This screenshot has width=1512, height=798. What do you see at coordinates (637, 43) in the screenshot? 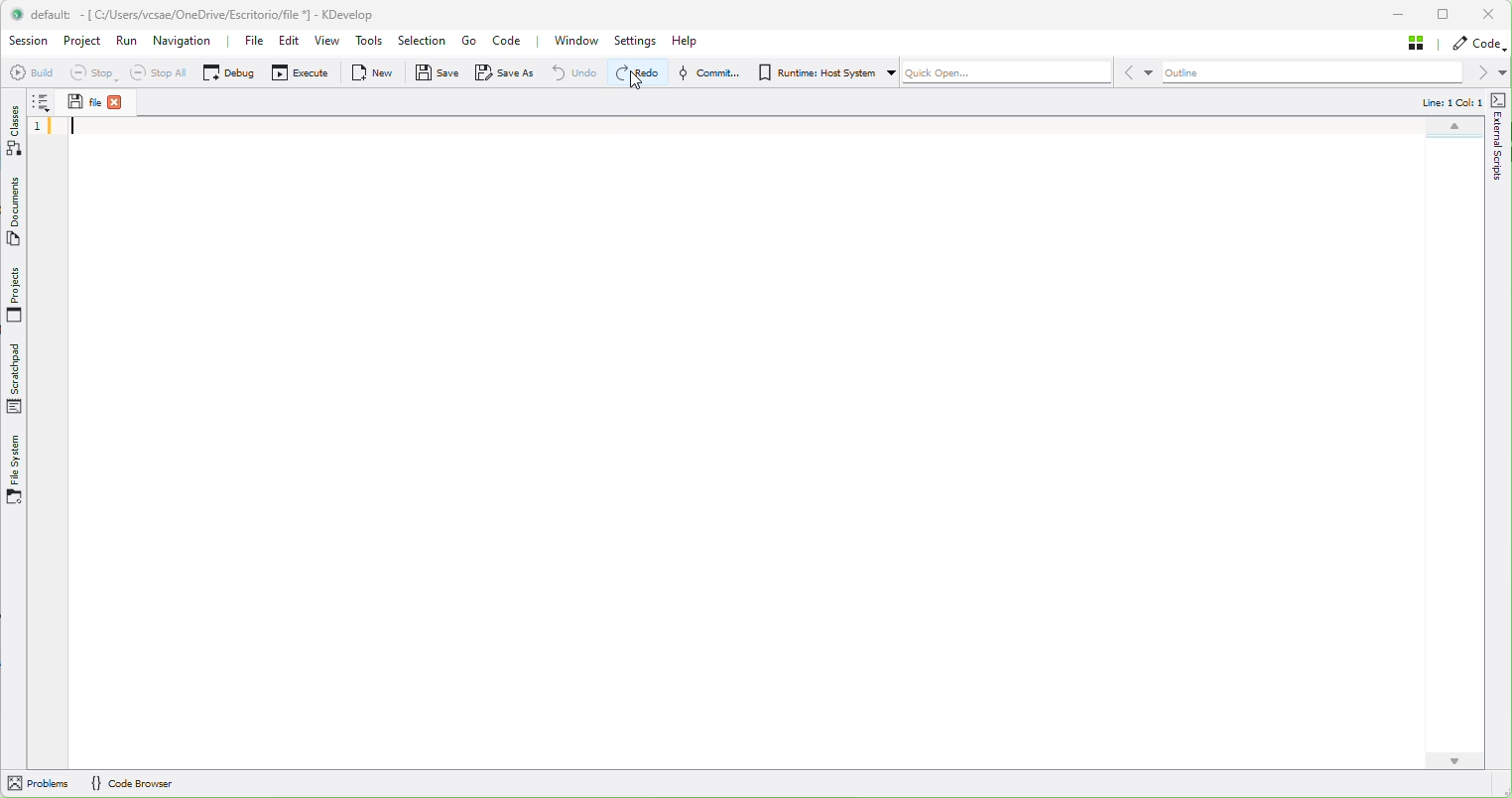
I see `Settings` at bounding box center [637, 43].